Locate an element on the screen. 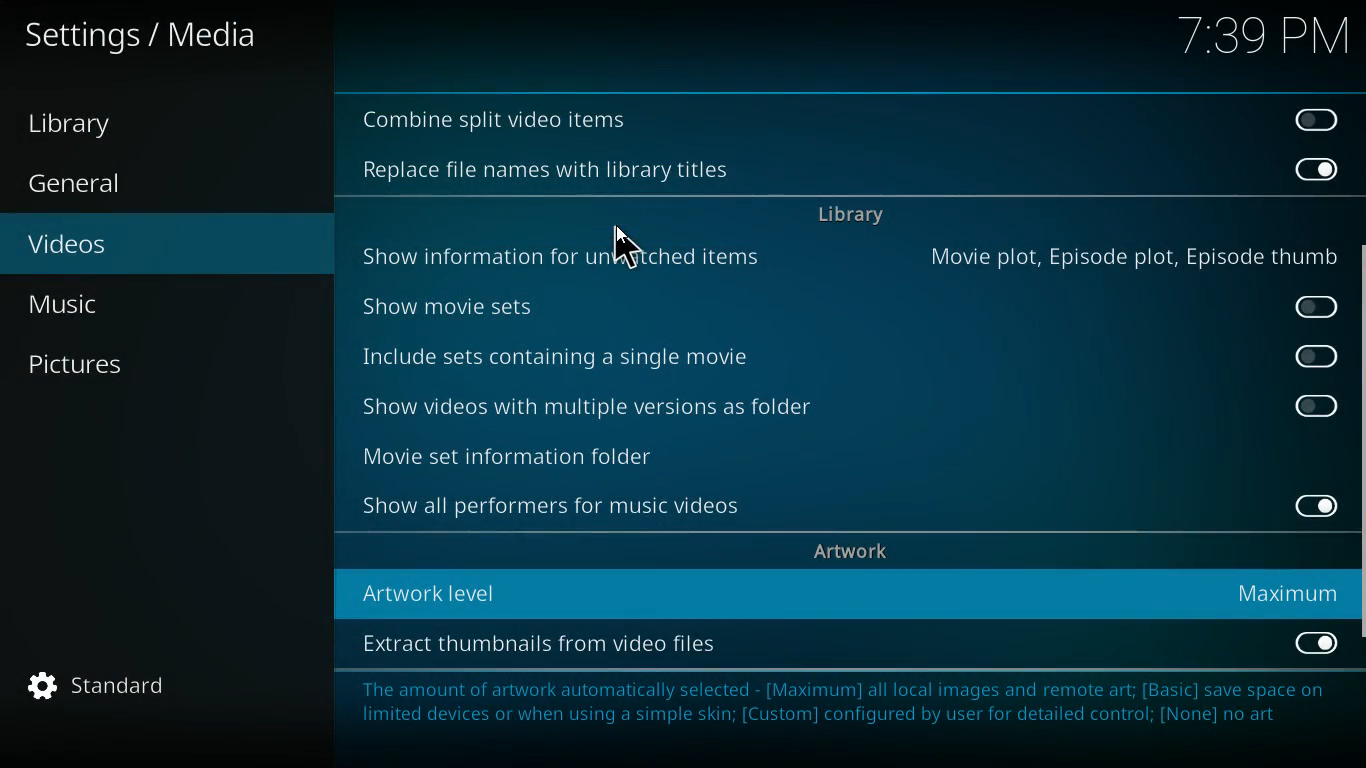 This screenshot has width=1366, height=768. off is located at coordinates (1317, 406).